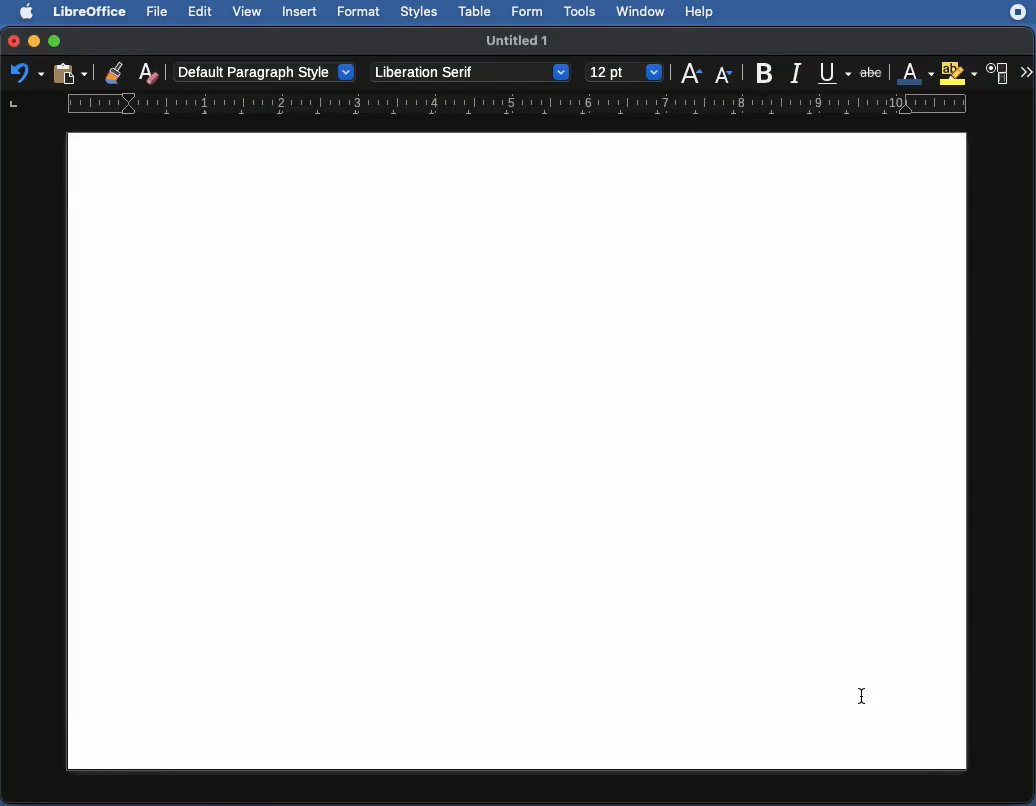 Image resolution: width=1036 pixels, height=806 pixels. Describe the element at coordinates (795, 74) in the screenshot. I see `Italic` at that location.